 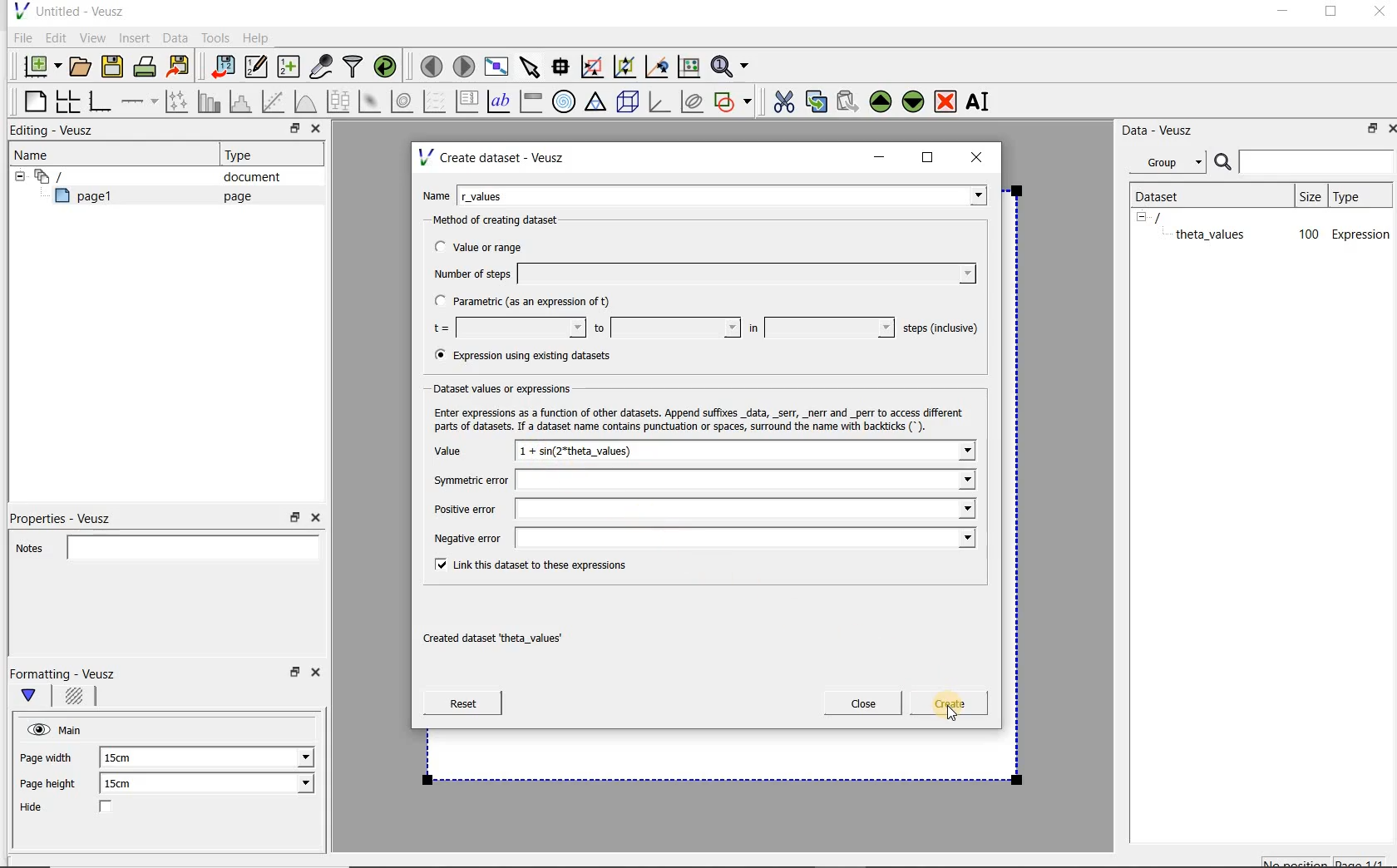 What do you see at coordinates (67, 101) in the screenshot?
I see `arrange graphs in a grid` at bounding box center [67, 101].